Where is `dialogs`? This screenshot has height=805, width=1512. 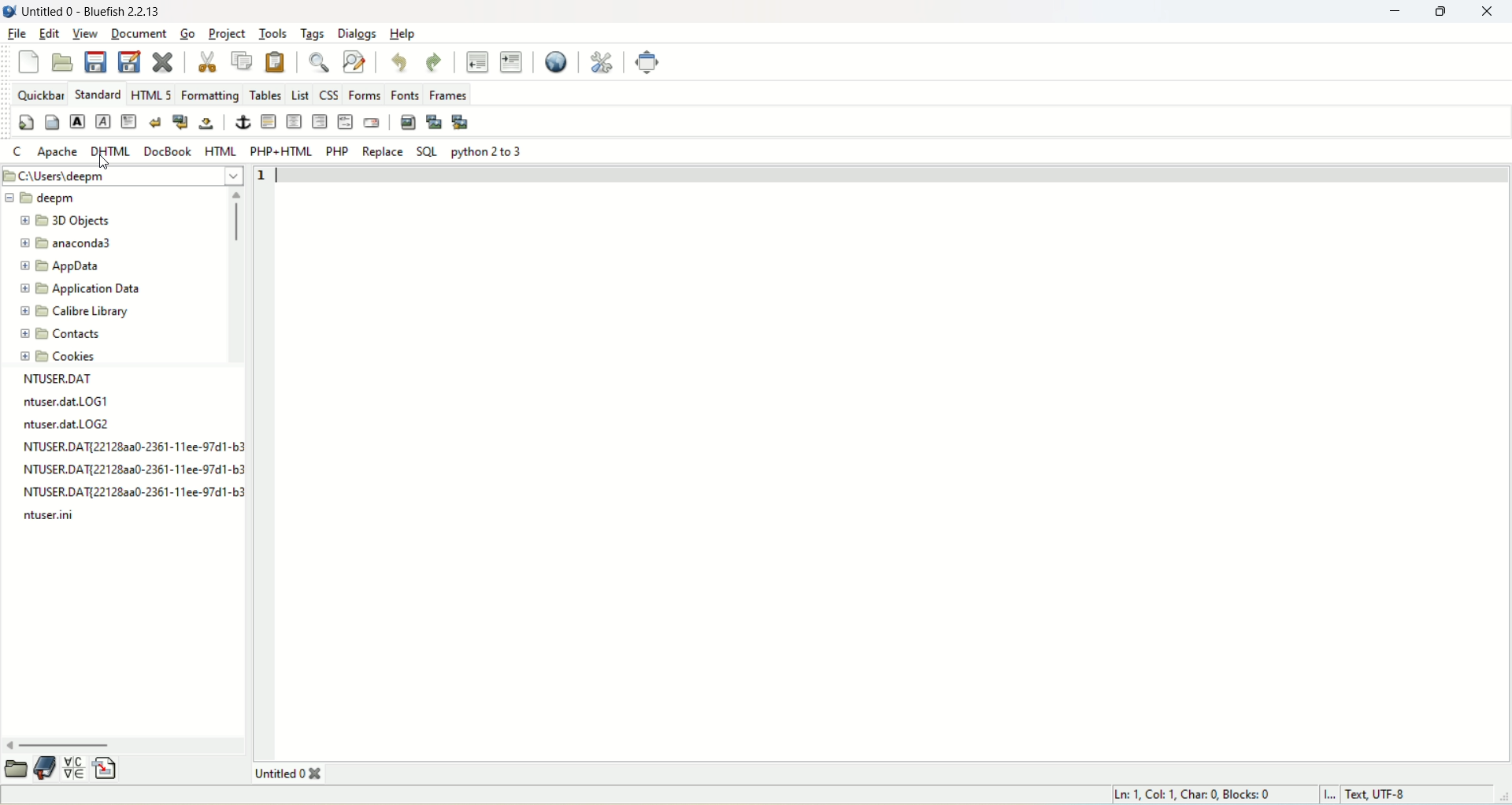 dialogs is located at coordinates (356, 33).